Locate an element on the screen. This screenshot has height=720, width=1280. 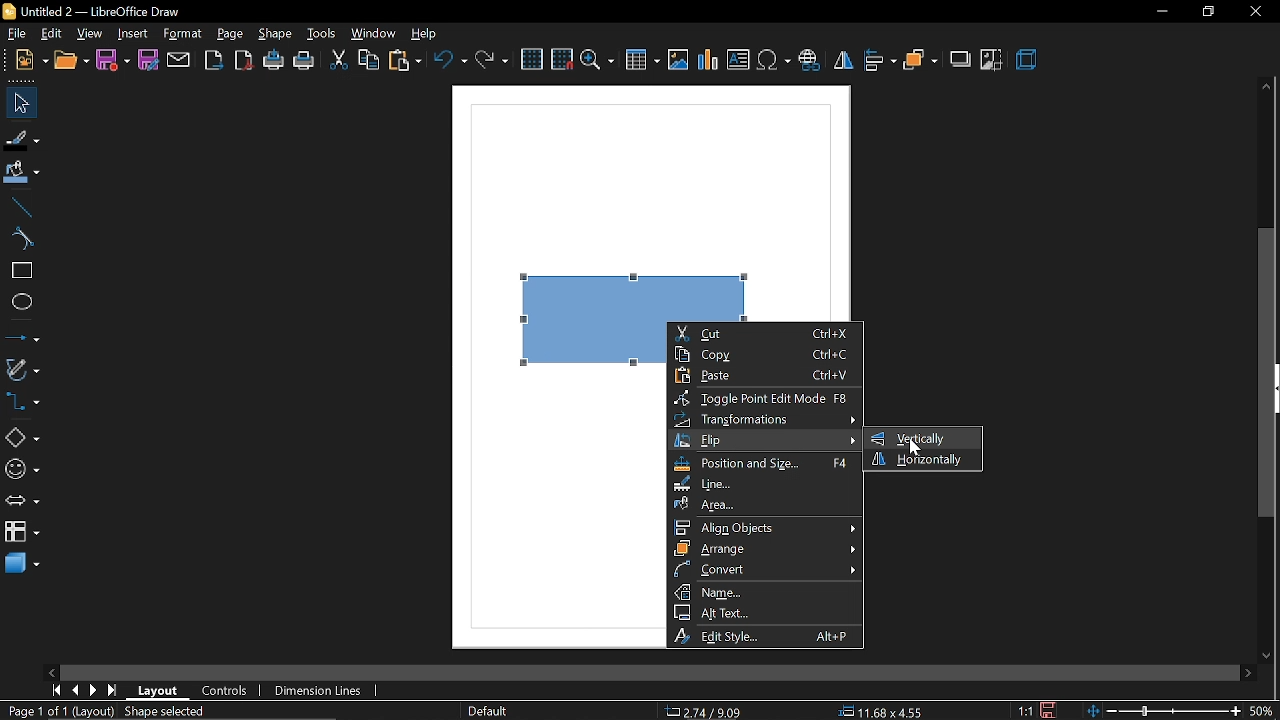
flip is located at coordinates (843, 61).